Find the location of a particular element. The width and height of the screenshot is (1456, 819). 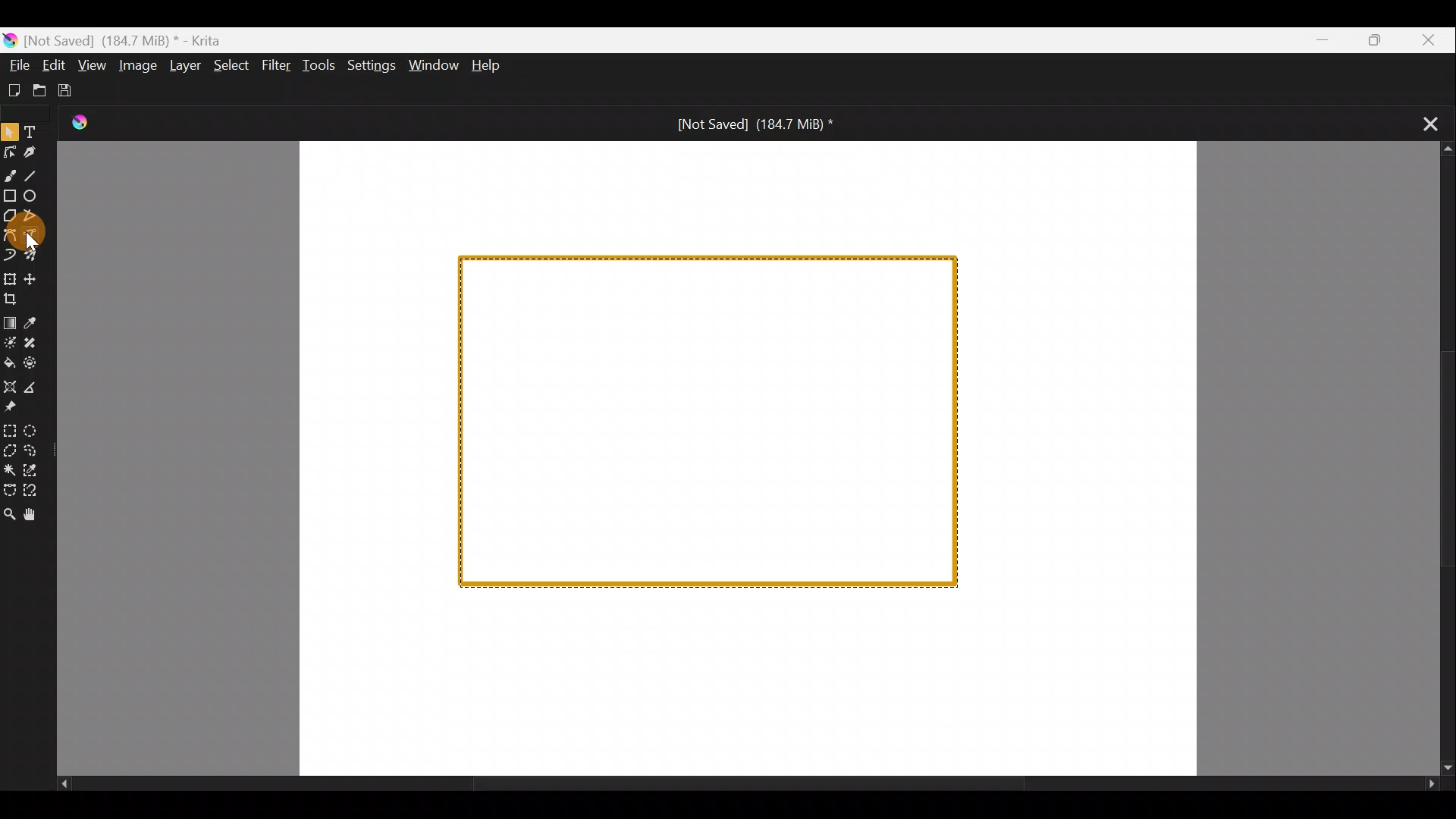

Edit is located at coordinates (47, 64).